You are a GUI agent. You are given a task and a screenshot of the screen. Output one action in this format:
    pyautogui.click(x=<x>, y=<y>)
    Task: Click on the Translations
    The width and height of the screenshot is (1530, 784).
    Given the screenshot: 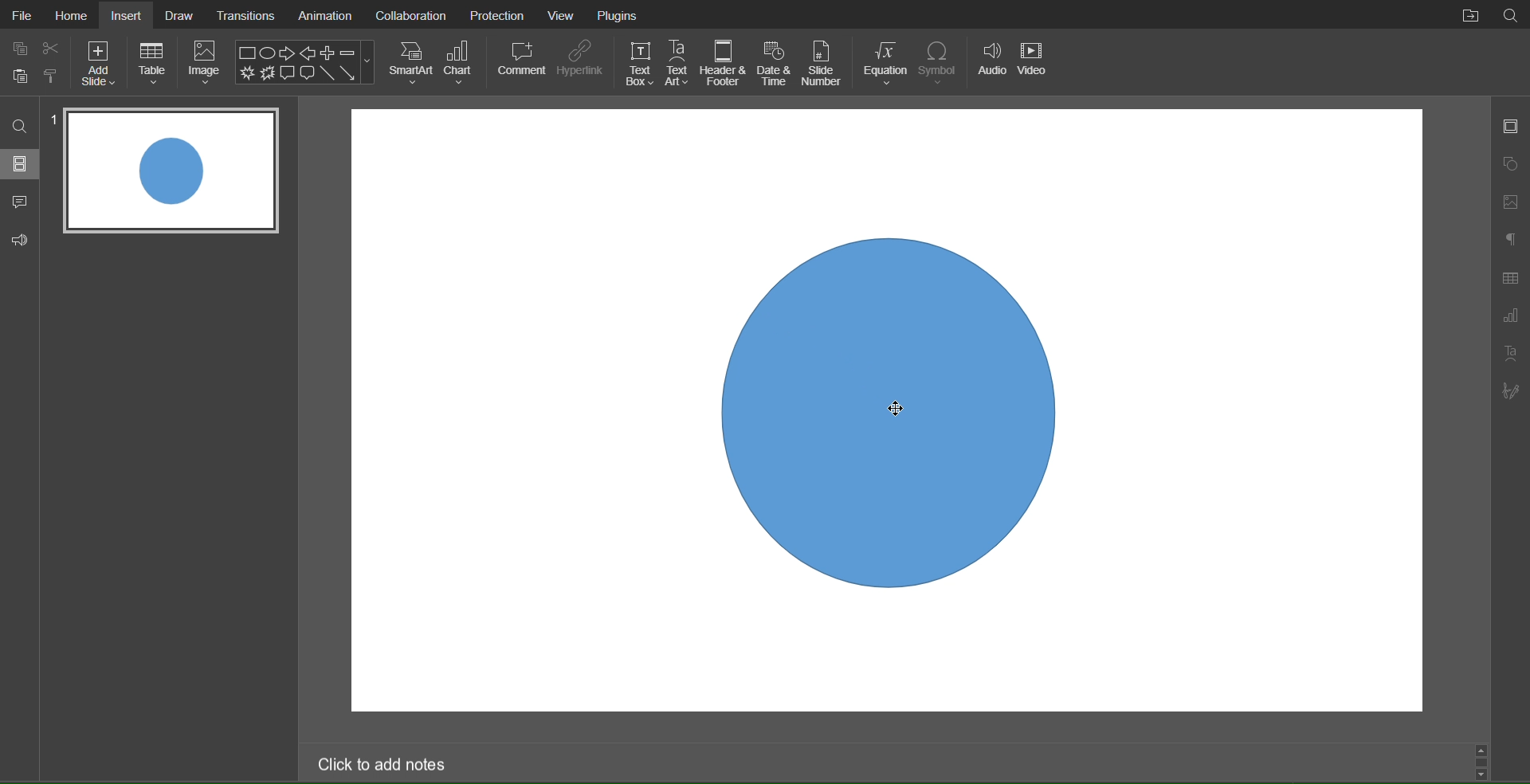 What is the action you would take?
    pyautogui.click(x=246, y=14)
    